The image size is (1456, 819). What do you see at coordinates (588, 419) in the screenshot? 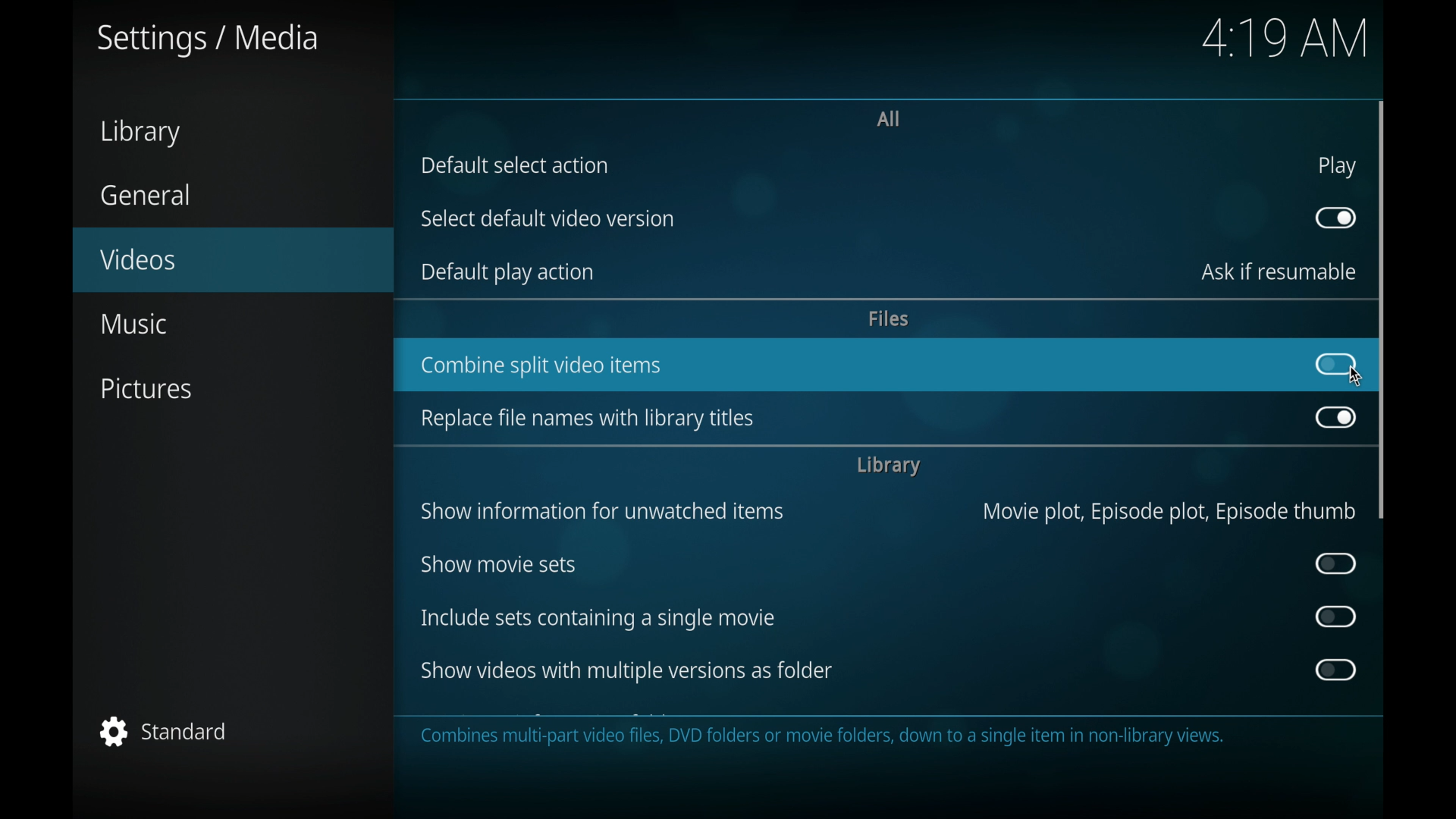
I see `replace file names` at bounding box center [588, 419].